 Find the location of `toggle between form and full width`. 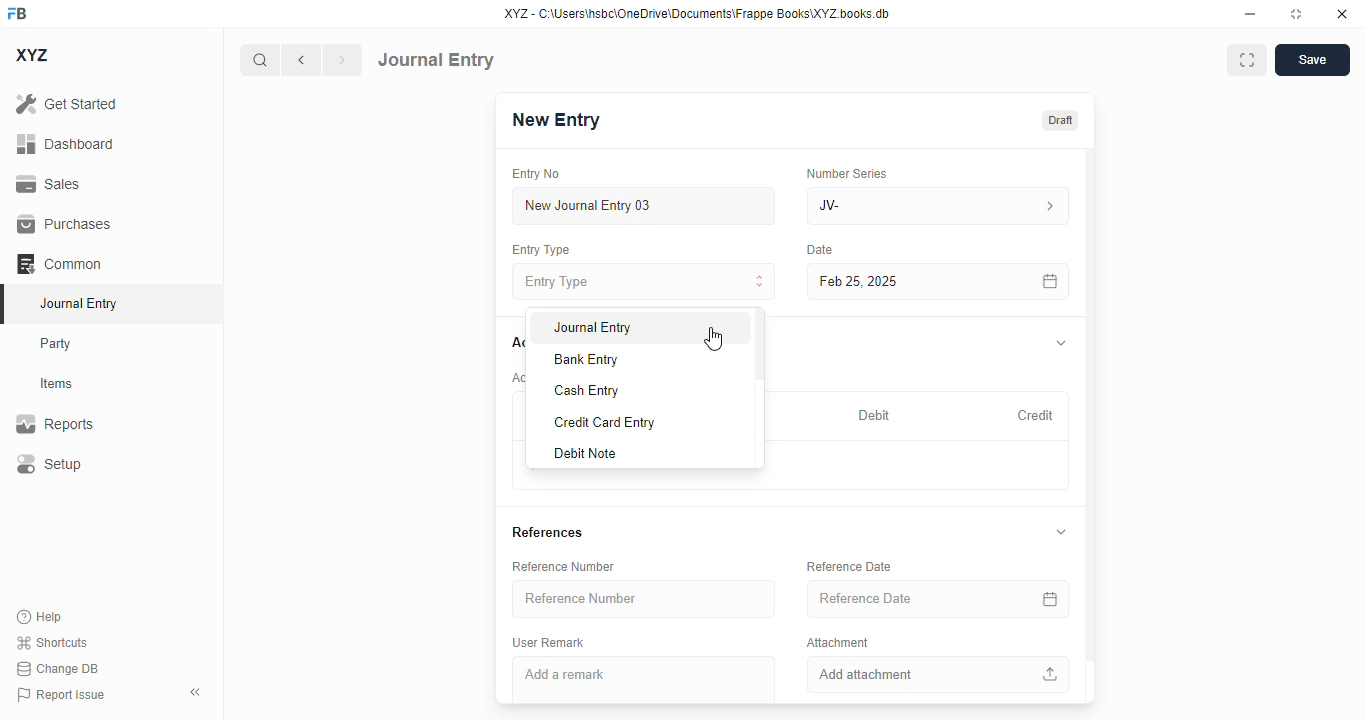

toggle between form and full width is located at coordinates (1248, 60).